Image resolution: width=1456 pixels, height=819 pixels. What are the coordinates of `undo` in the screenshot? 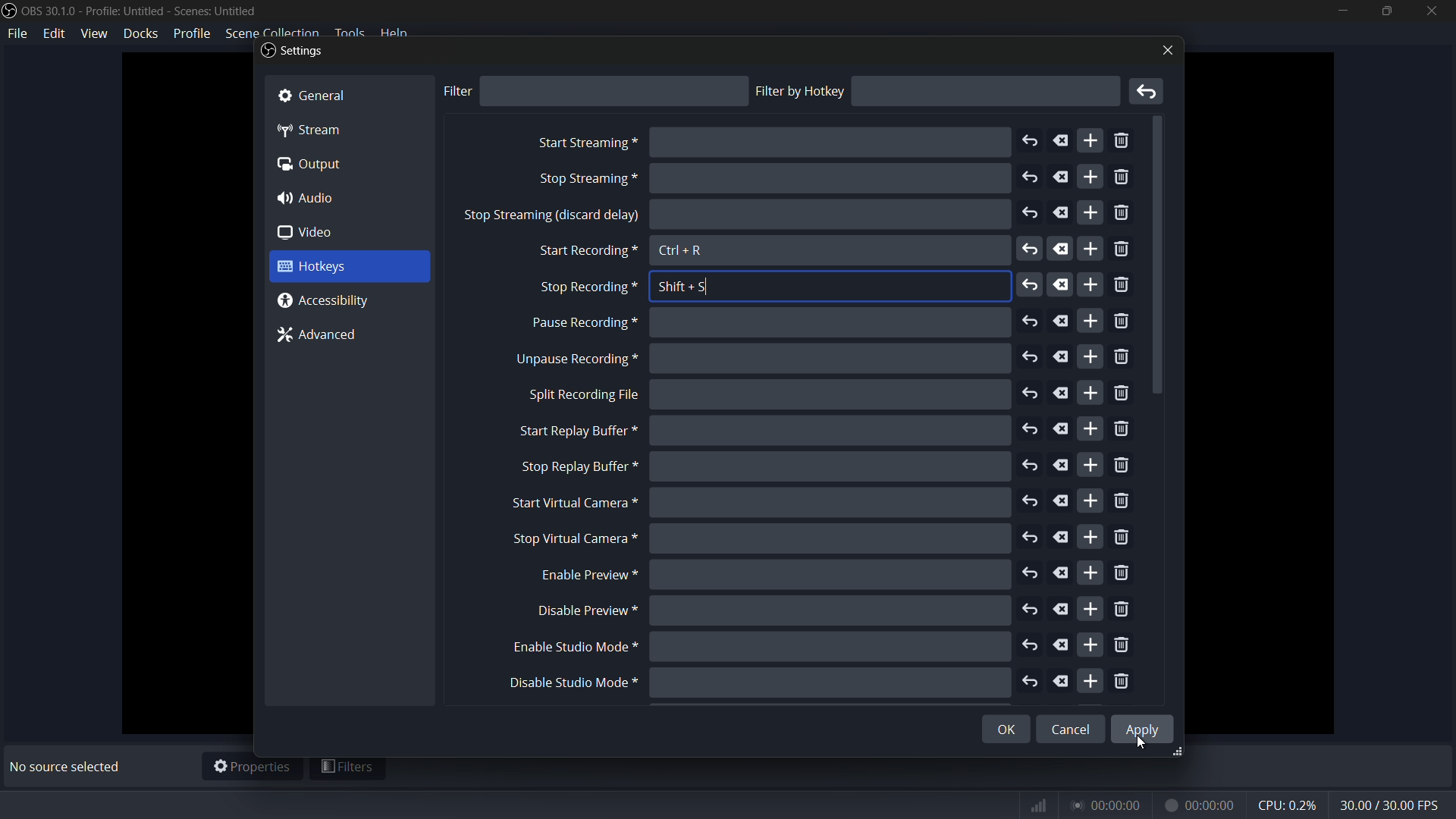 It's located at (1032, 538).